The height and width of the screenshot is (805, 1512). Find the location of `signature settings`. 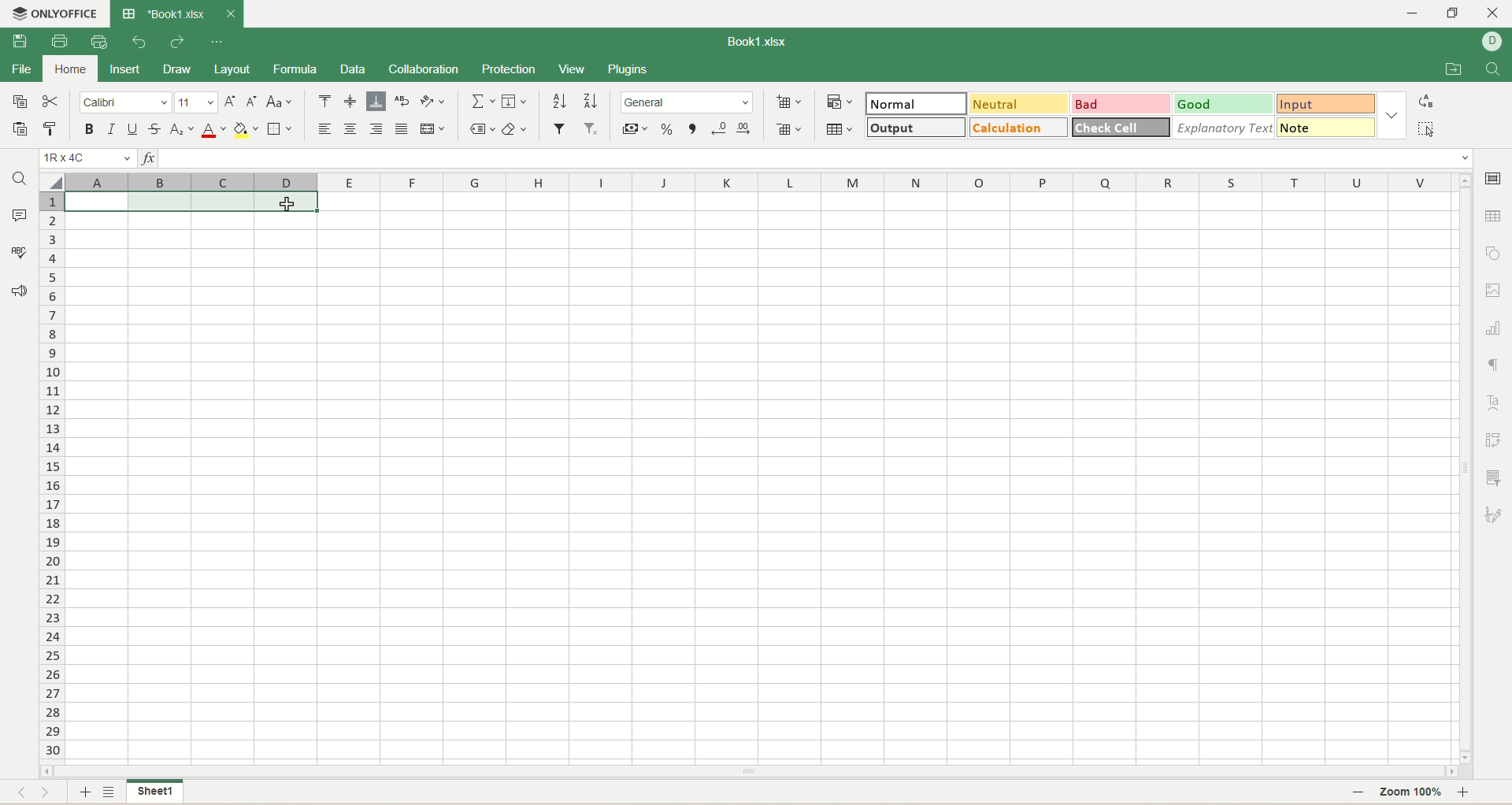

signature settings is located at coordinates (1493, 513).